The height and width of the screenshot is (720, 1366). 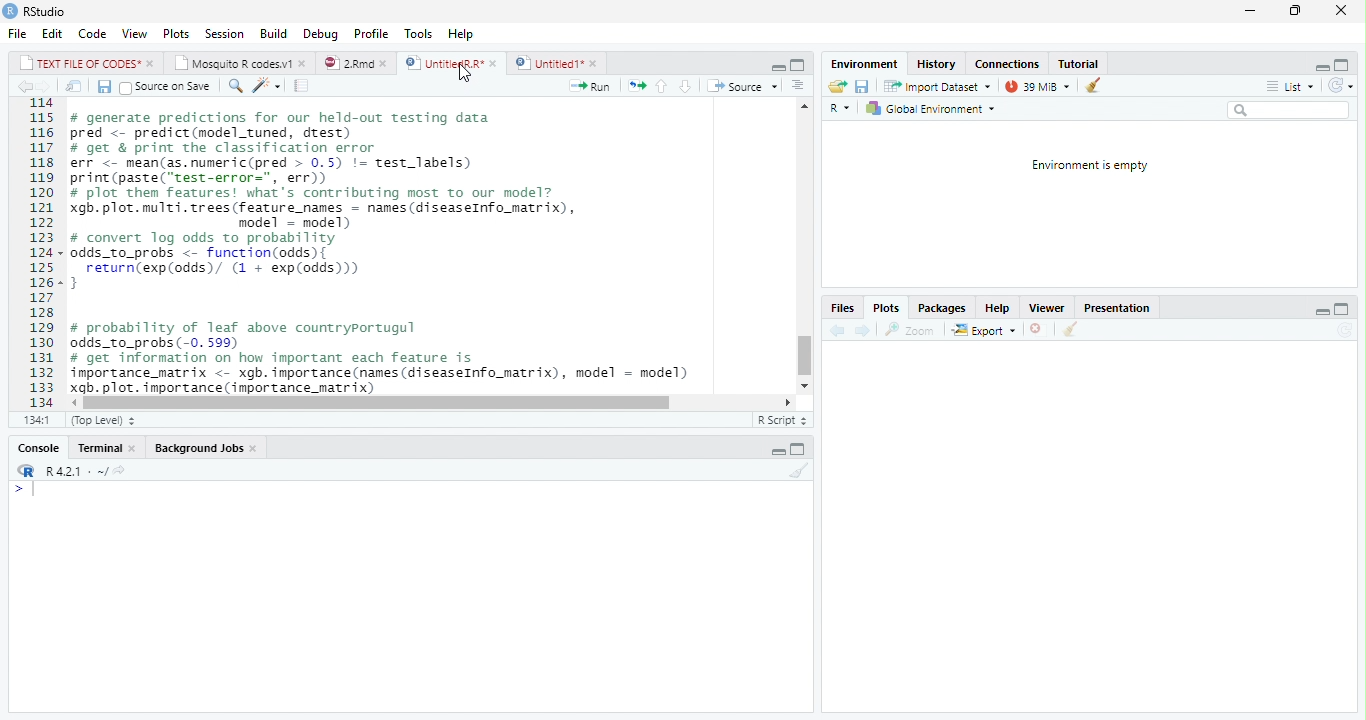 I want to click on Previous, so click(x=835, y=329).